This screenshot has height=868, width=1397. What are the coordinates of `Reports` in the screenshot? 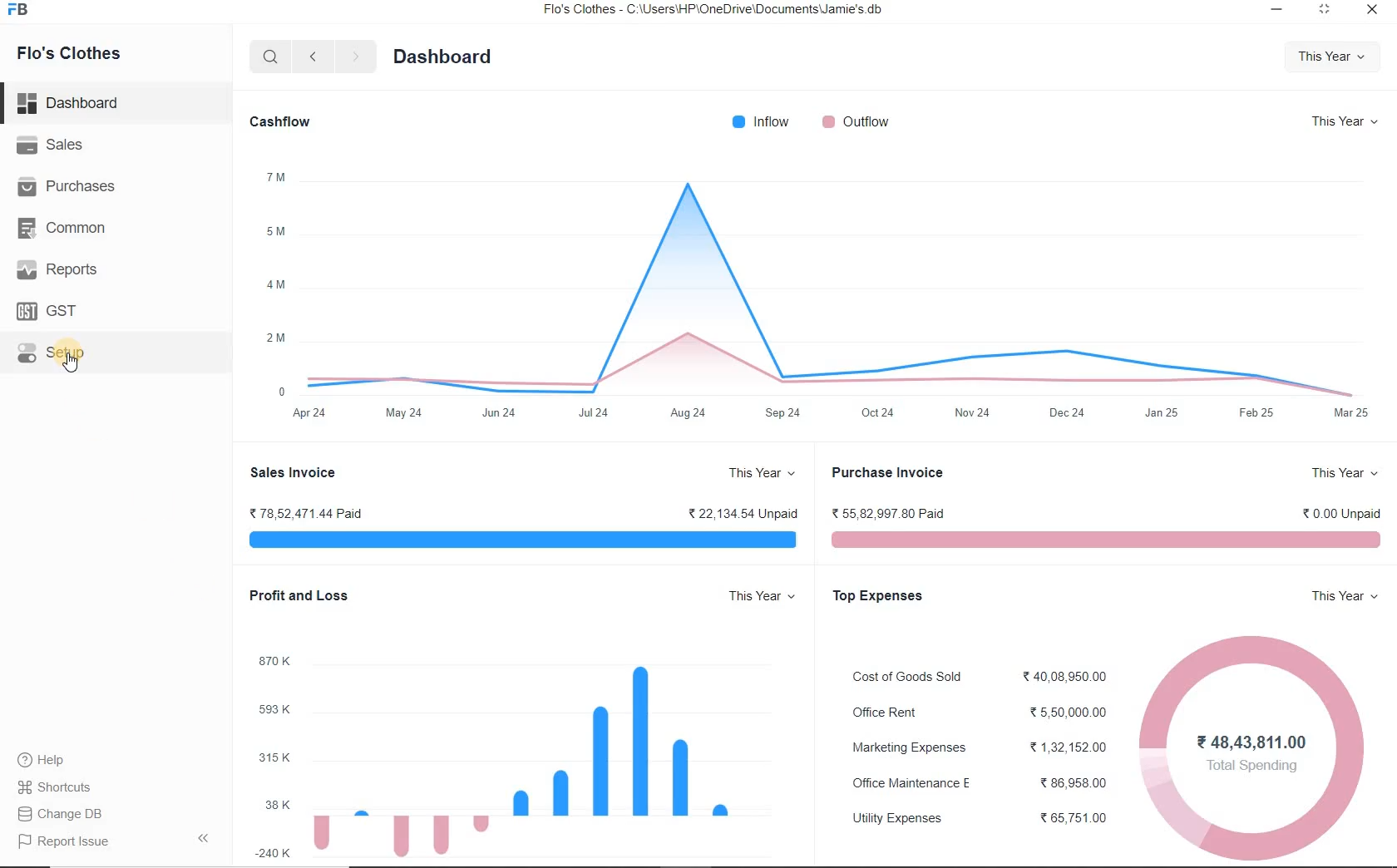 It's located at (62, 269).